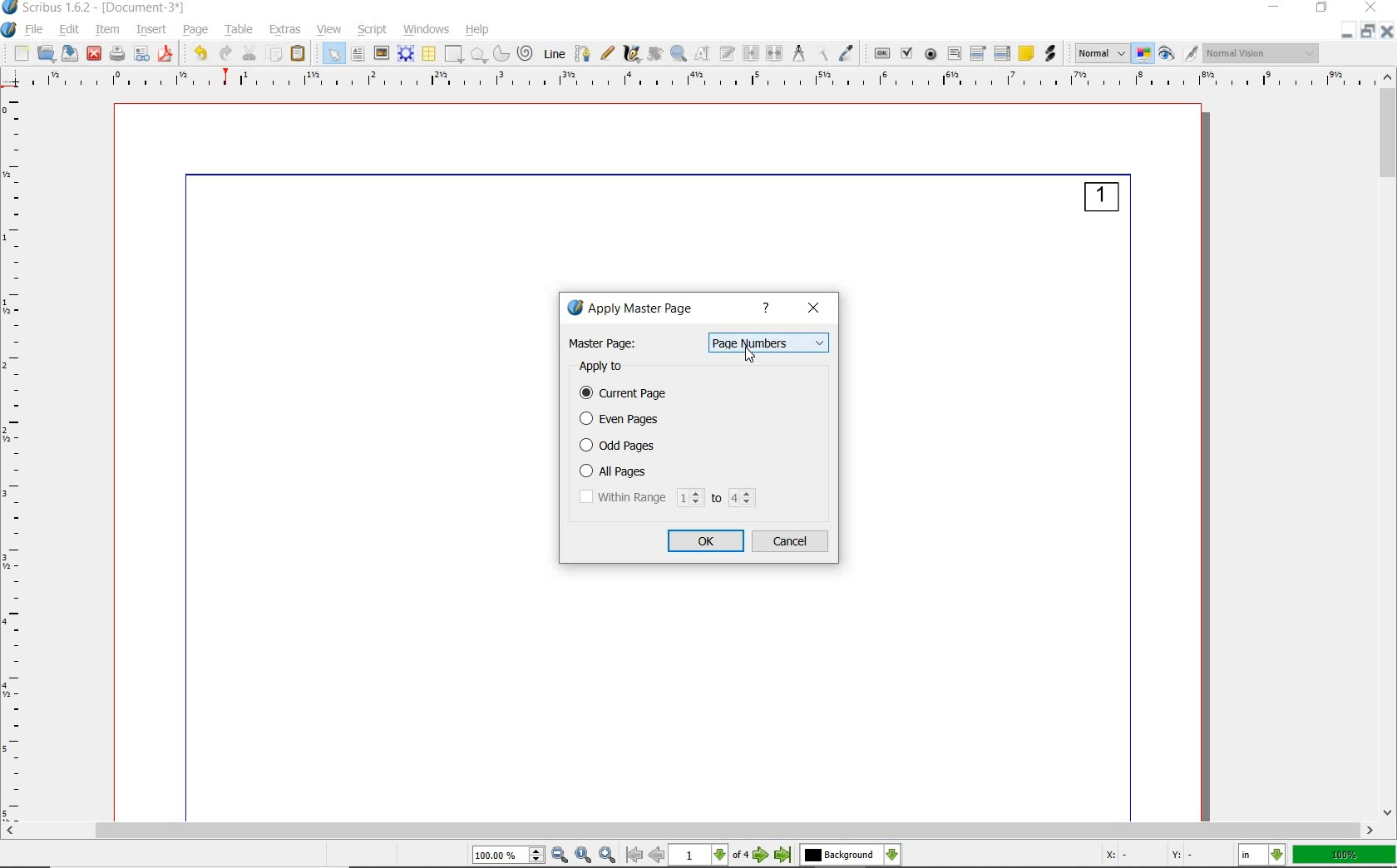  What do you see at coordinates (560, 856) in the screenshot?
I see `zoom out` at bounding box center [560, 856].